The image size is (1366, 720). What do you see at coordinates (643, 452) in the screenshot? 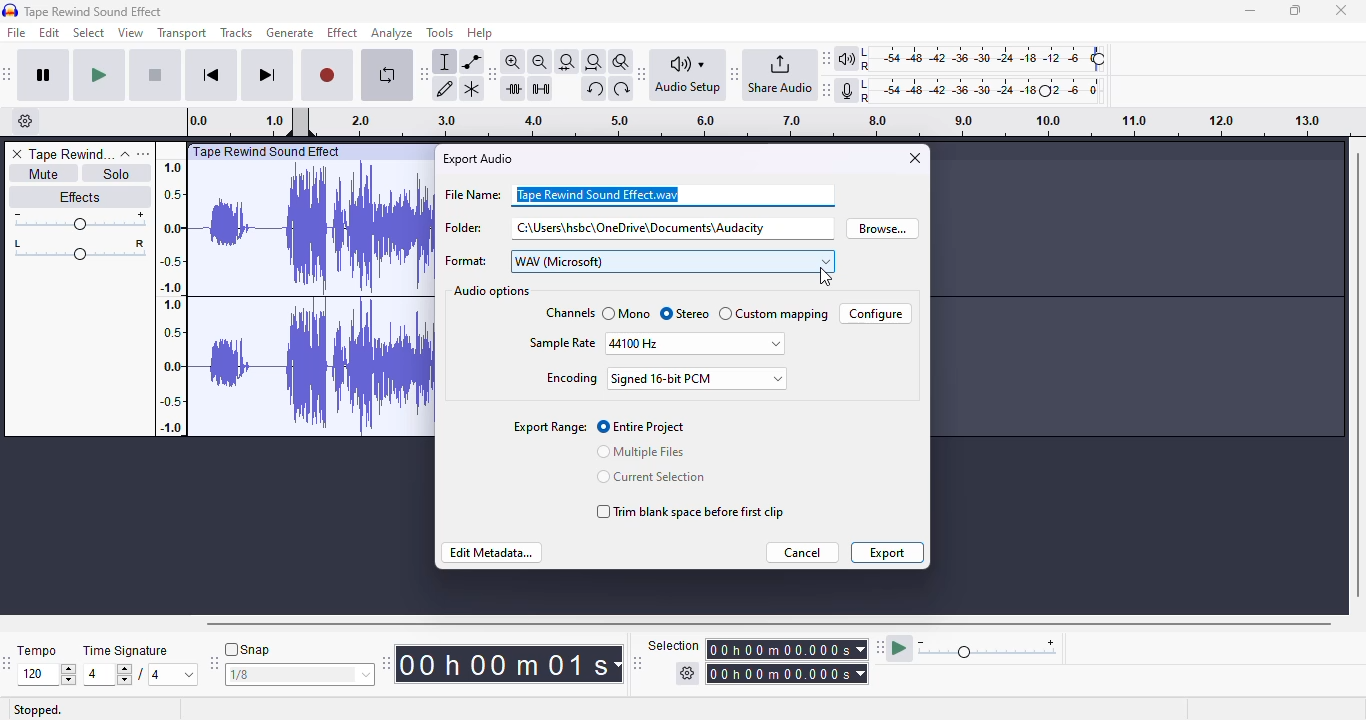
I see `multiple files` at bounding box center [643, 452].